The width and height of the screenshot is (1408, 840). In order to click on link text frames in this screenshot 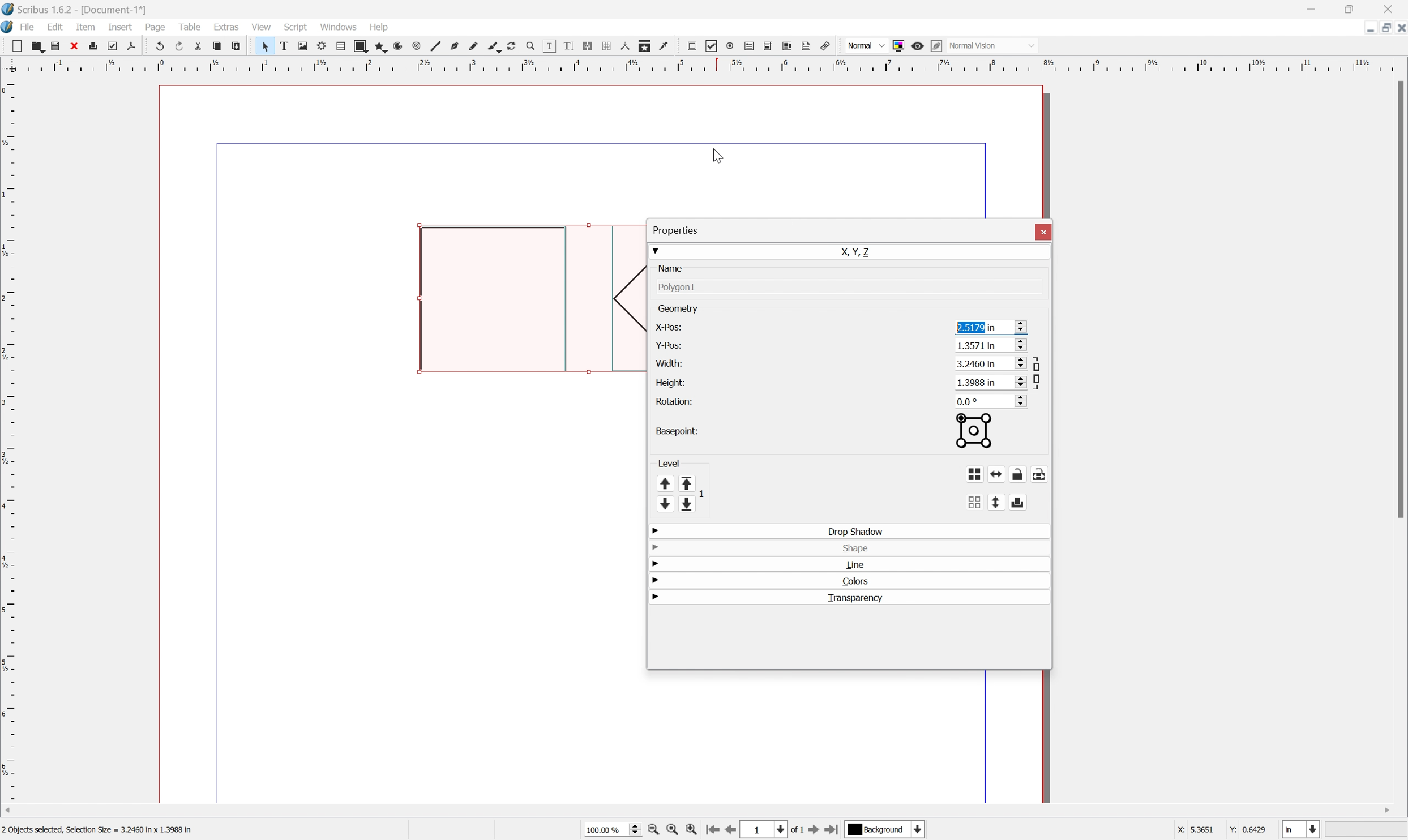, I will do `click(587, 46)`.